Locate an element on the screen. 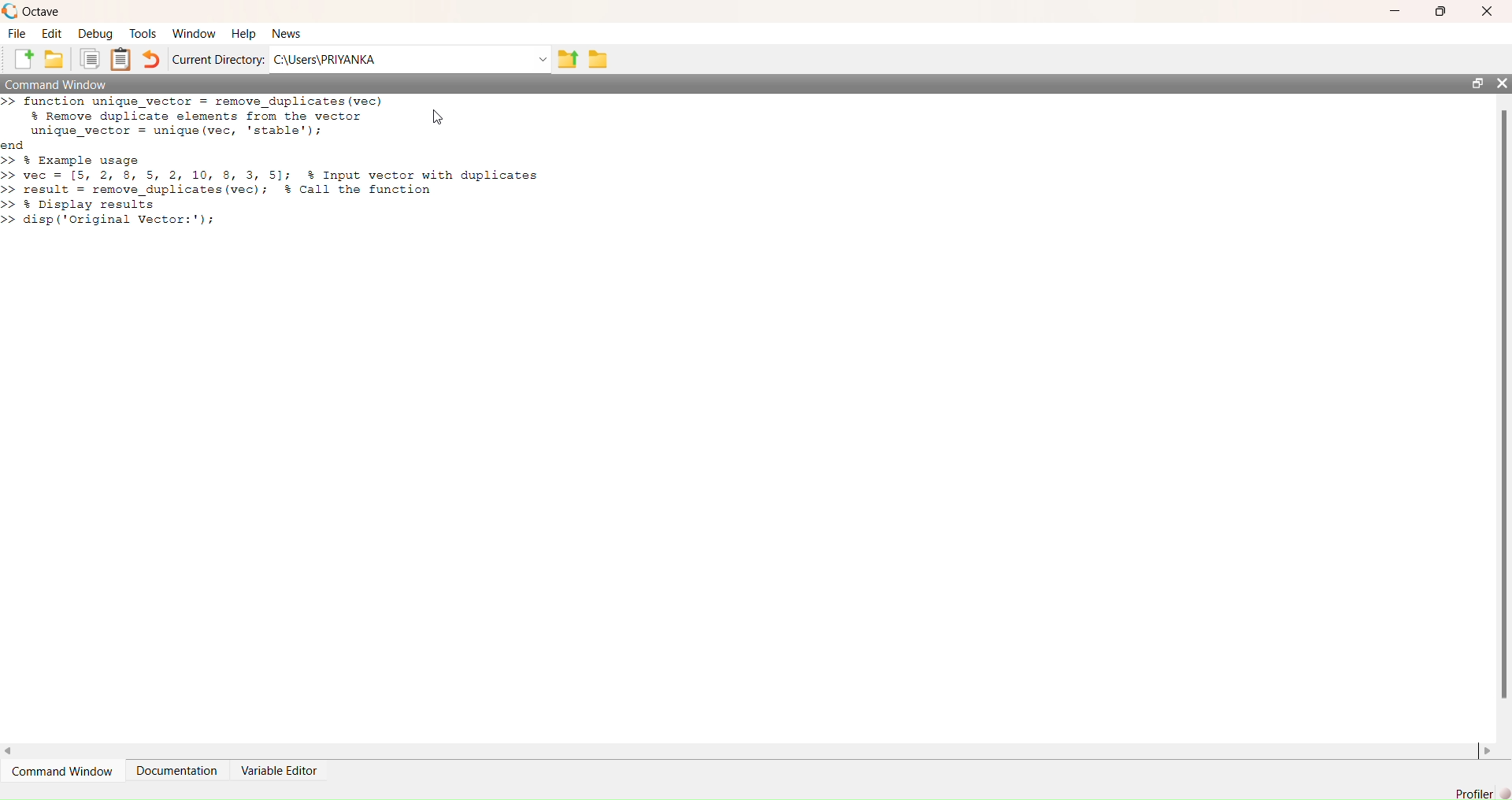 The width and height of the screenshot is (1512, 800). Current Directory: is located at coordinates (219, 61).